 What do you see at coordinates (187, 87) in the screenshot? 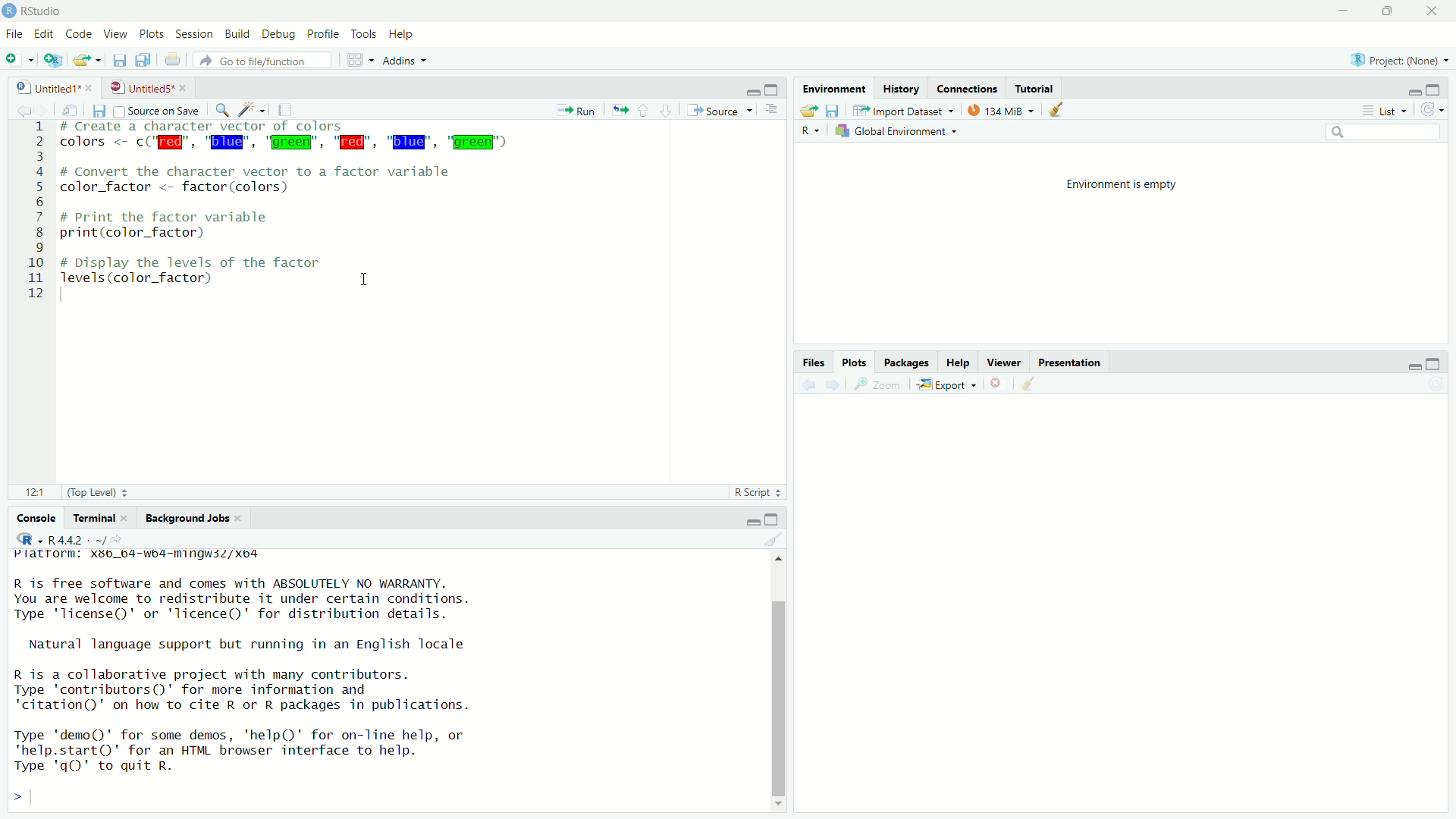
I see `close` at bounding box center [187, 87].